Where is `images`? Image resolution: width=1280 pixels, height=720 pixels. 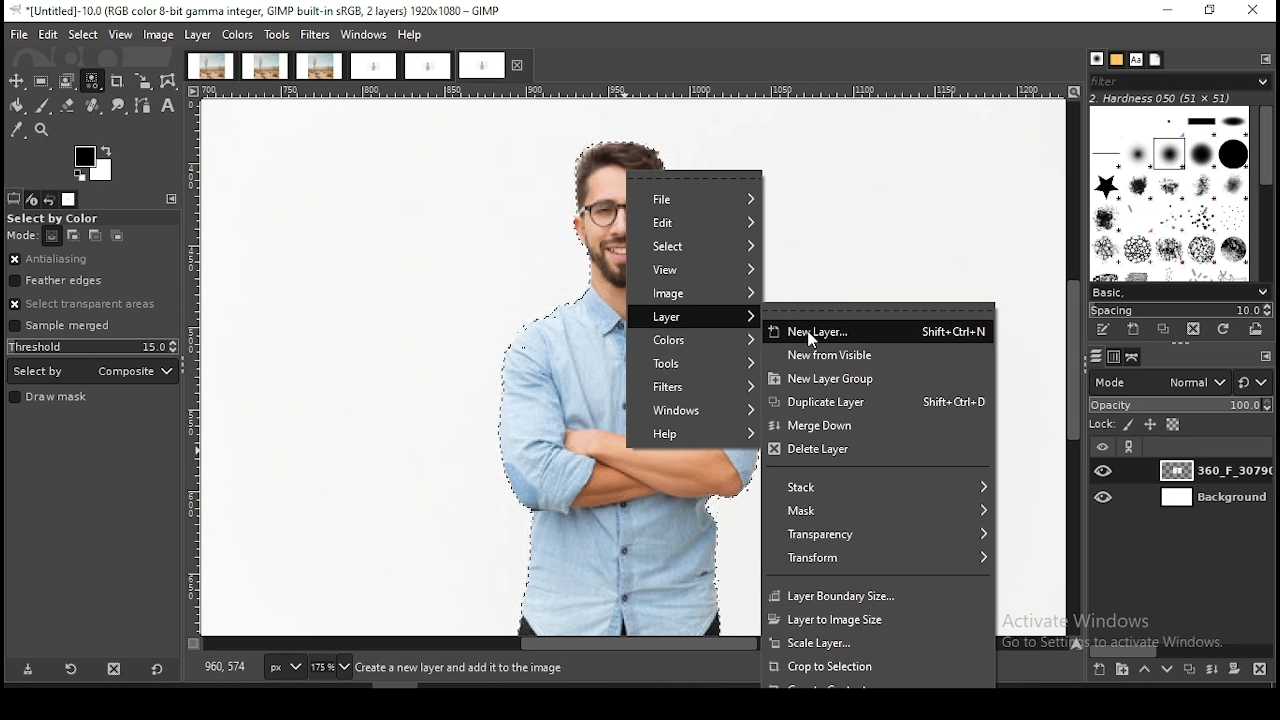
images is located at coordinates (69, 200).